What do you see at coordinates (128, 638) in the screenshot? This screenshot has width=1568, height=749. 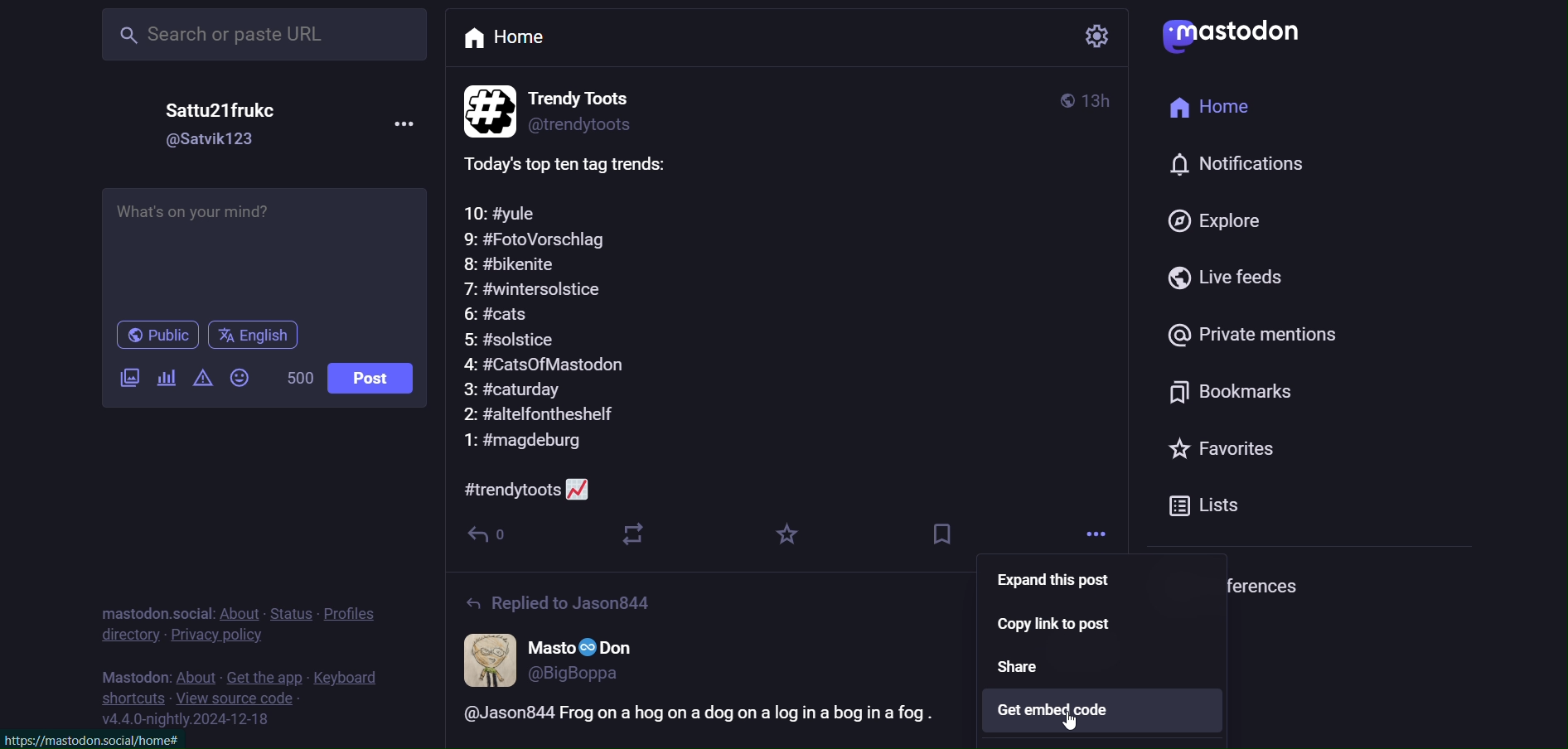 I see `directory` at bounding box center [128, 638].